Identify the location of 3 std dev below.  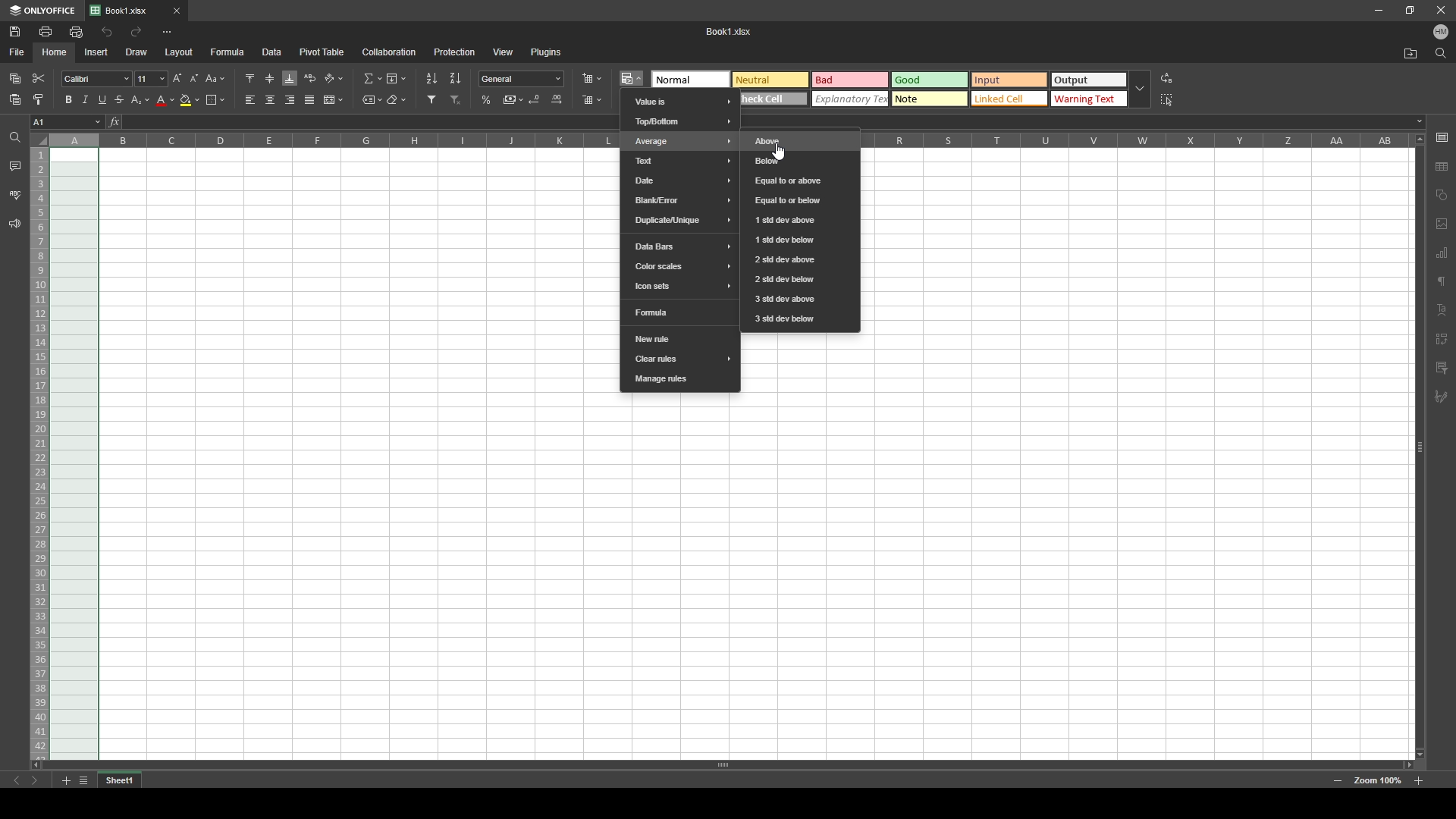
(800, 319).